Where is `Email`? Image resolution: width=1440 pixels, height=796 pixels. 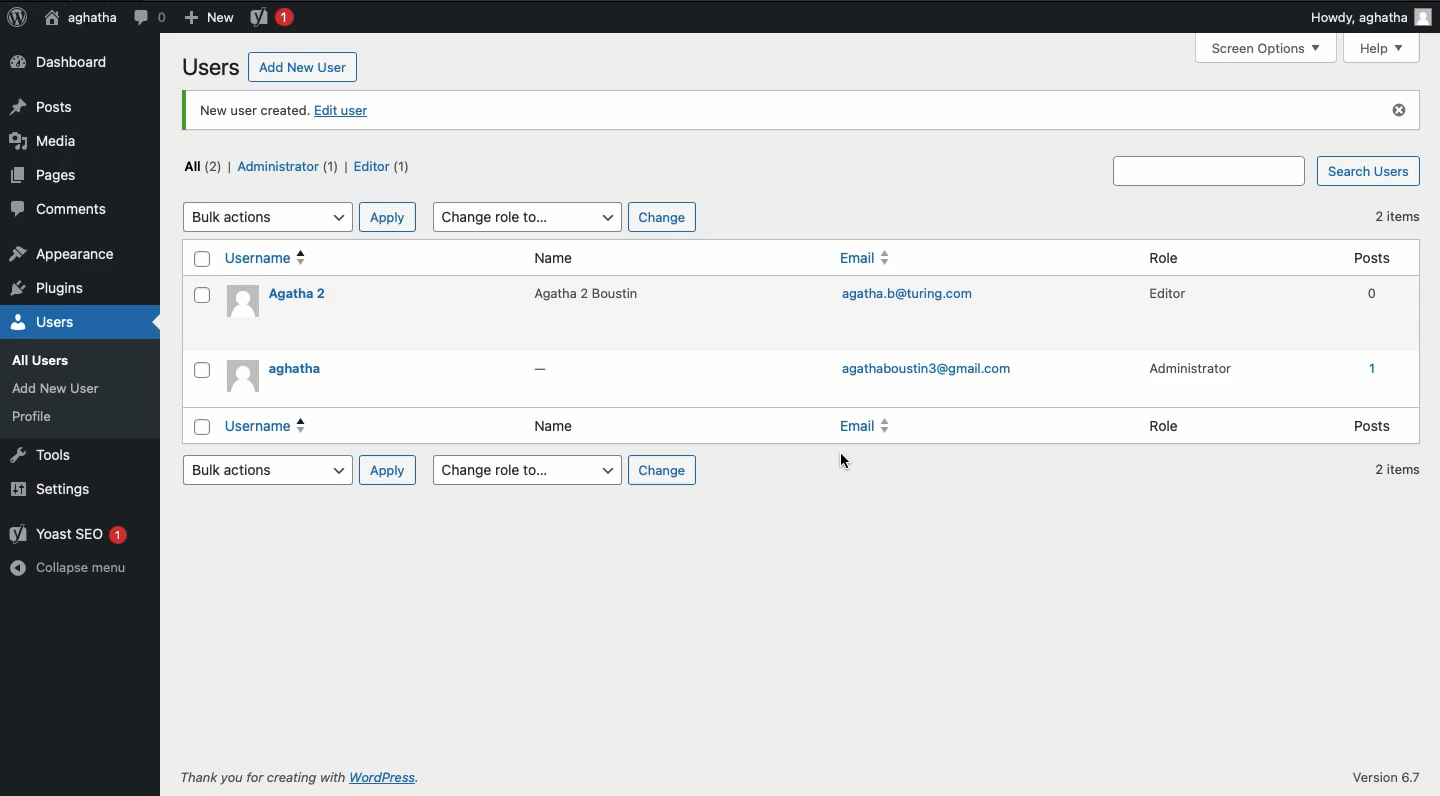 Email is located at coordinates (864, 428).